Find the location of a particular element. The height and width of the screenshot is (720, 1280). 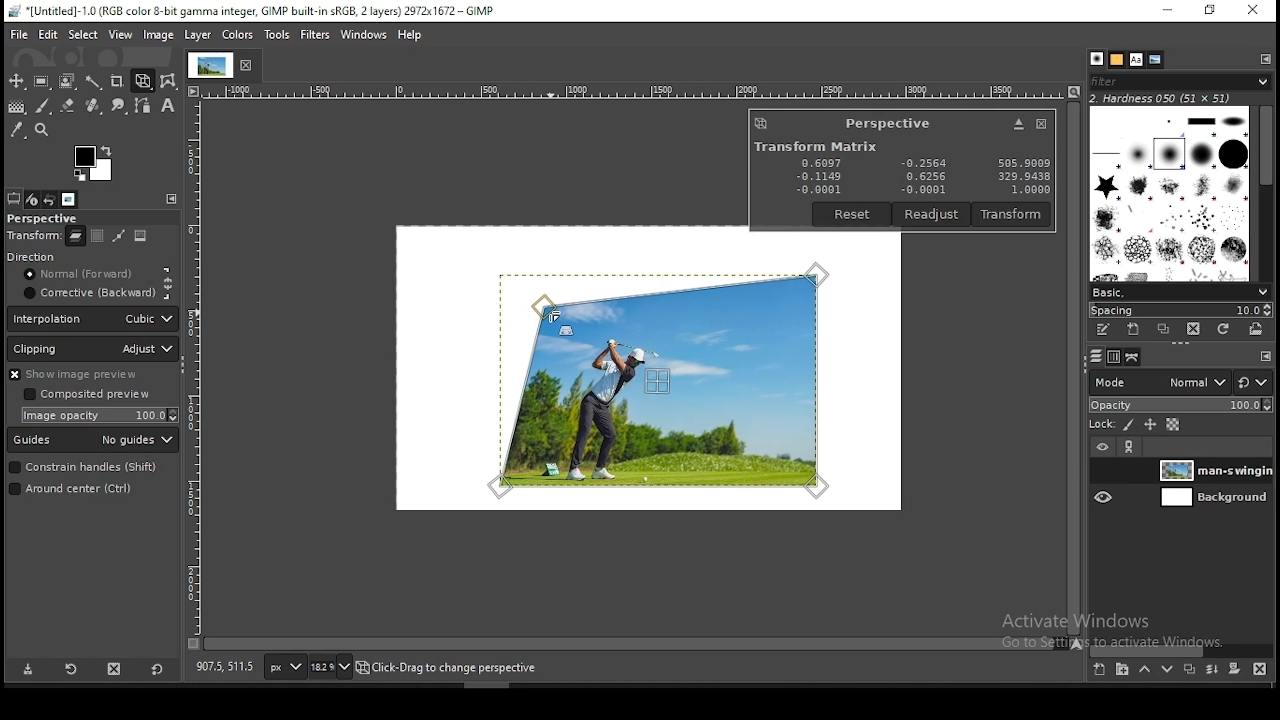

wrap transform is located at coordinates (170, 80).